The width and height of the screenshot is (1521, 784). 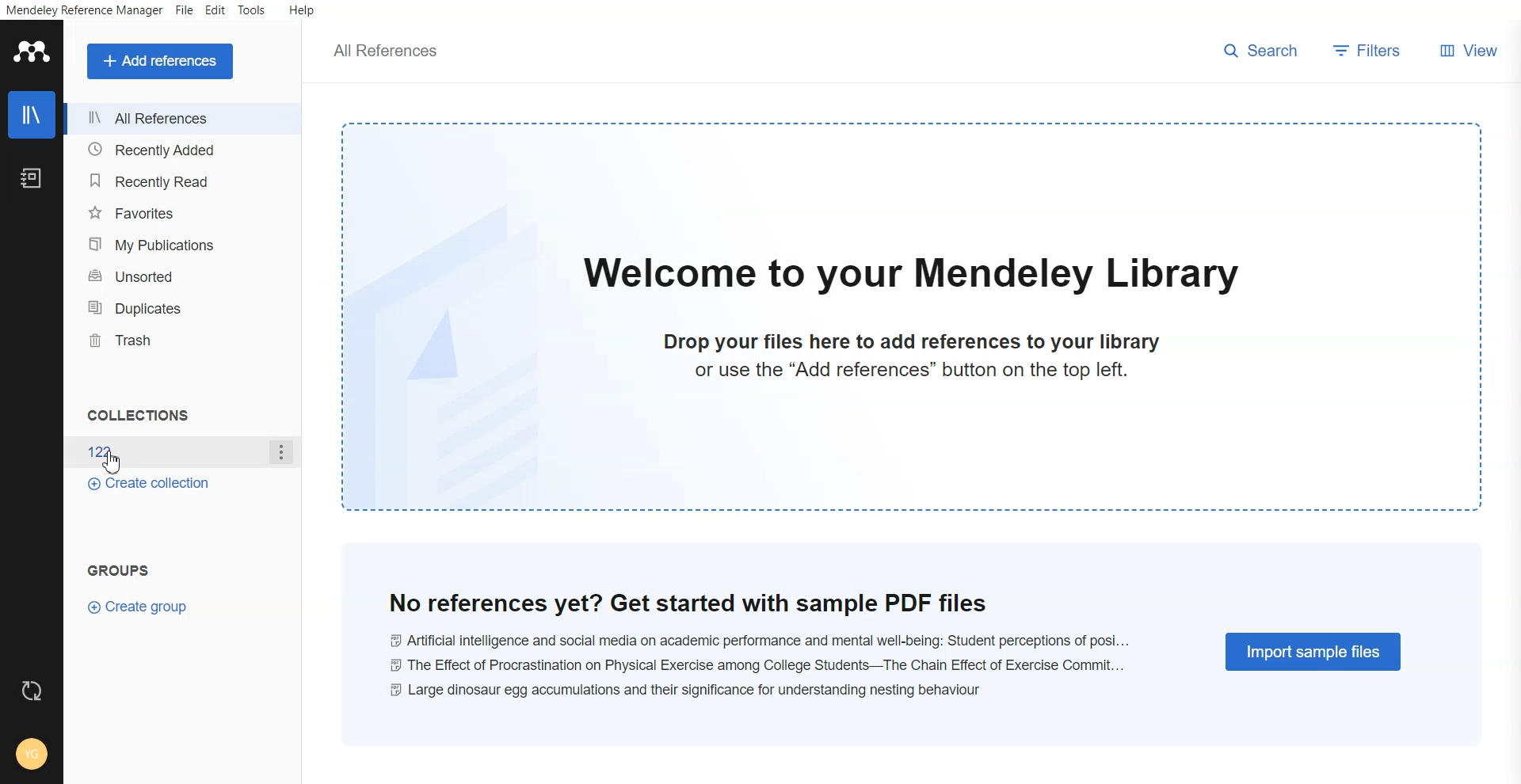 What do you see at coordinates (452, 348) in the screenshot?
I see `file watermark background image` at bounding box center [452, 348].